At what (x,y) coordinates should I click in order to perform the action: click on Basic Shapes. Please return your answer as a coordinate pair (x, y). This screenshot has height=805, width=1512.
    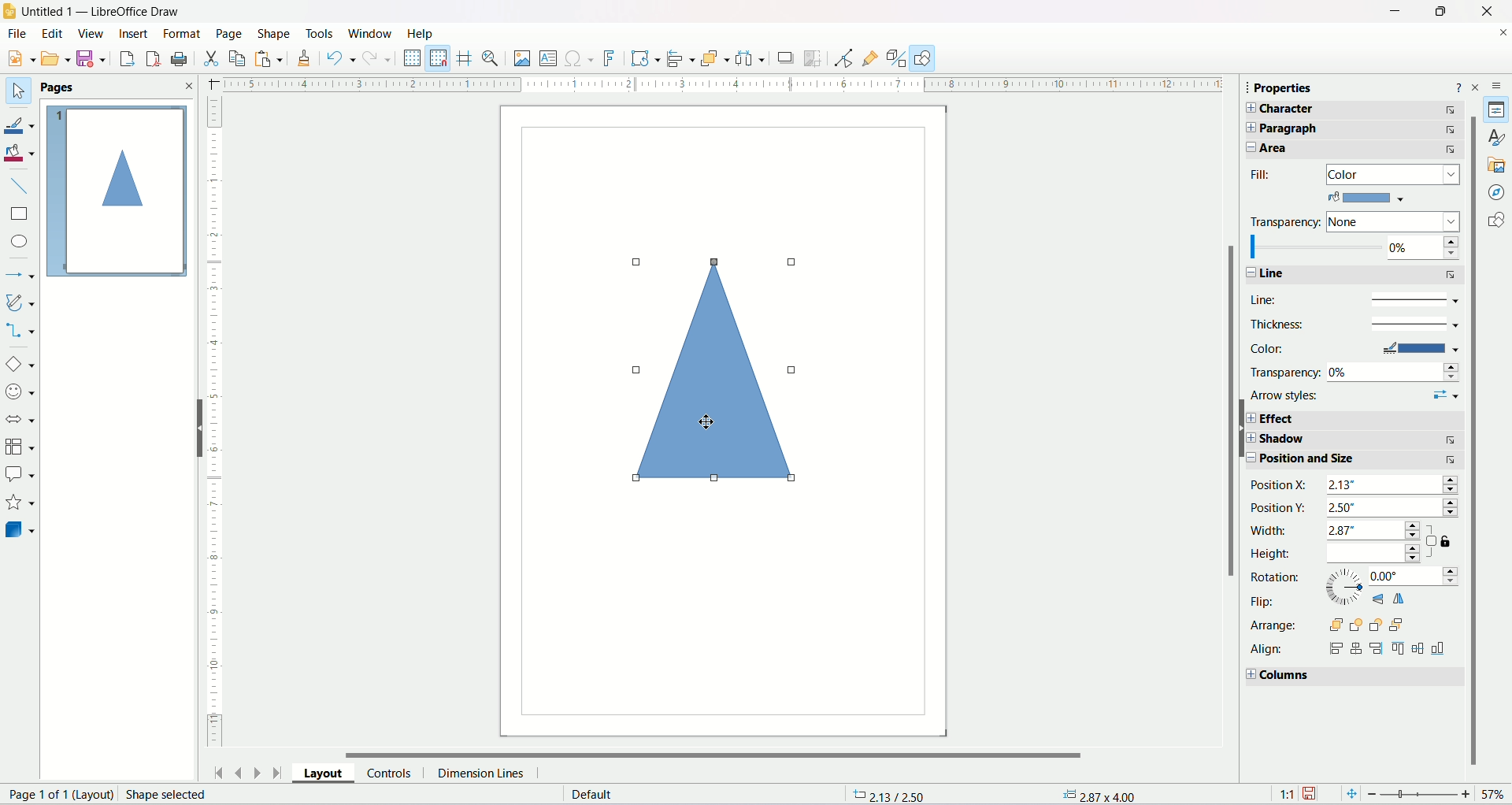
    Looking at the image, I should click on (20, 363).